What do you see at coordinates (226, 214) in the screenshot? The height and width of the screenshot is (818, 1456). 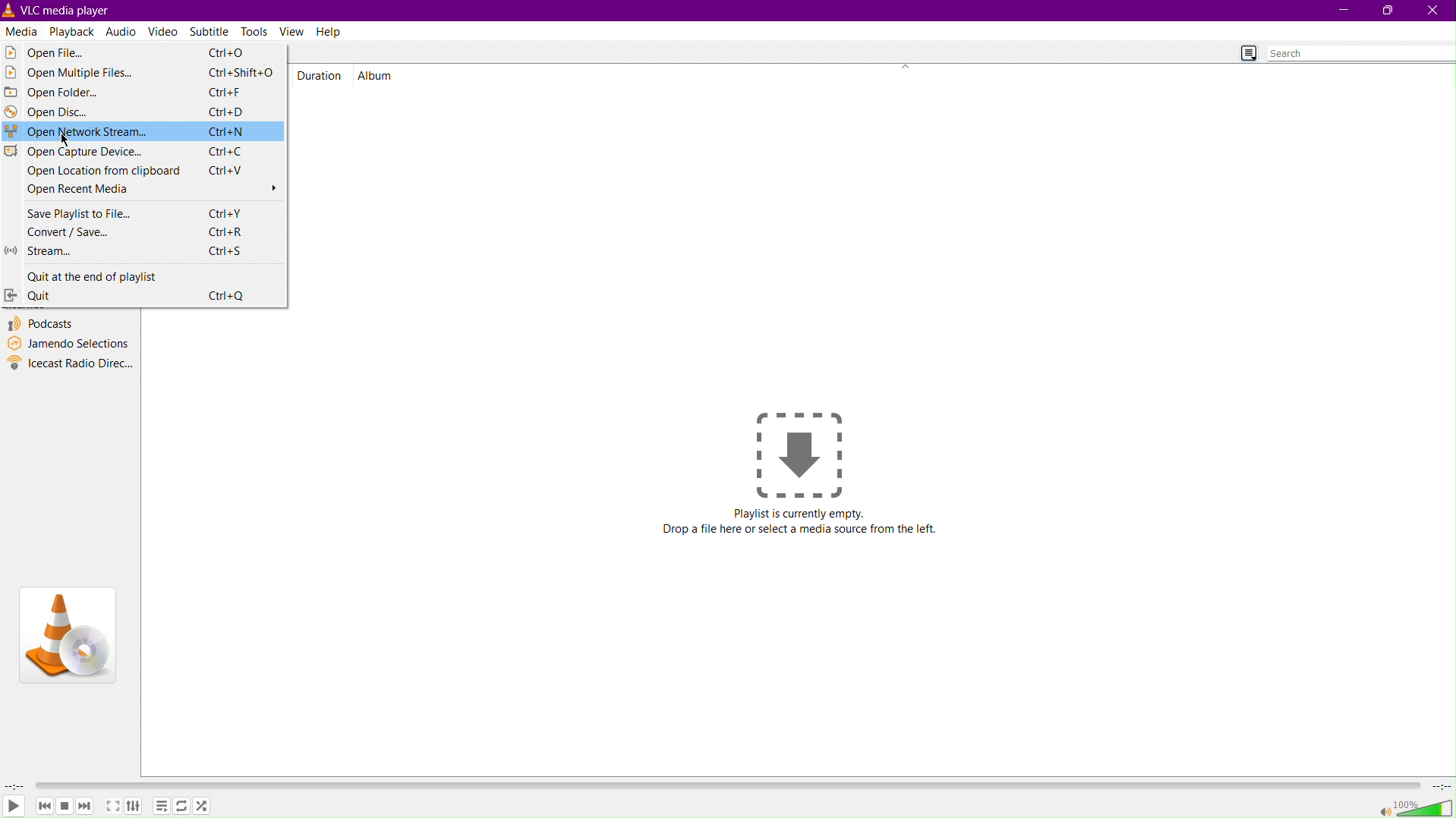 I see `Ctrl+Y` at bounding box center [226, 214].